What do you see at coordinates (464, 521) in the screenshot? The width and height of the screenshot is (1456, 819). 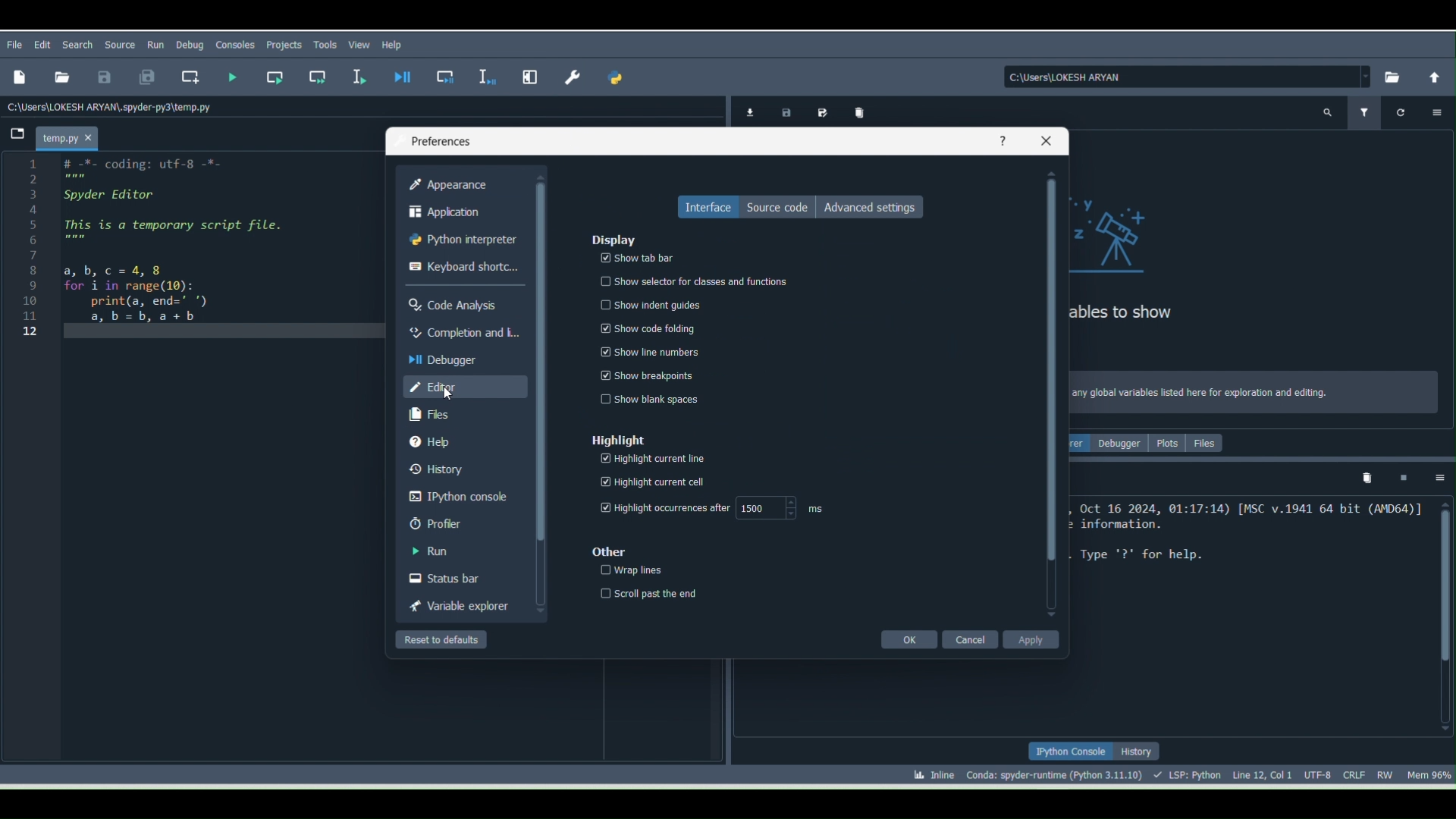 I see `Profiler` at bounding box center [464, 521].